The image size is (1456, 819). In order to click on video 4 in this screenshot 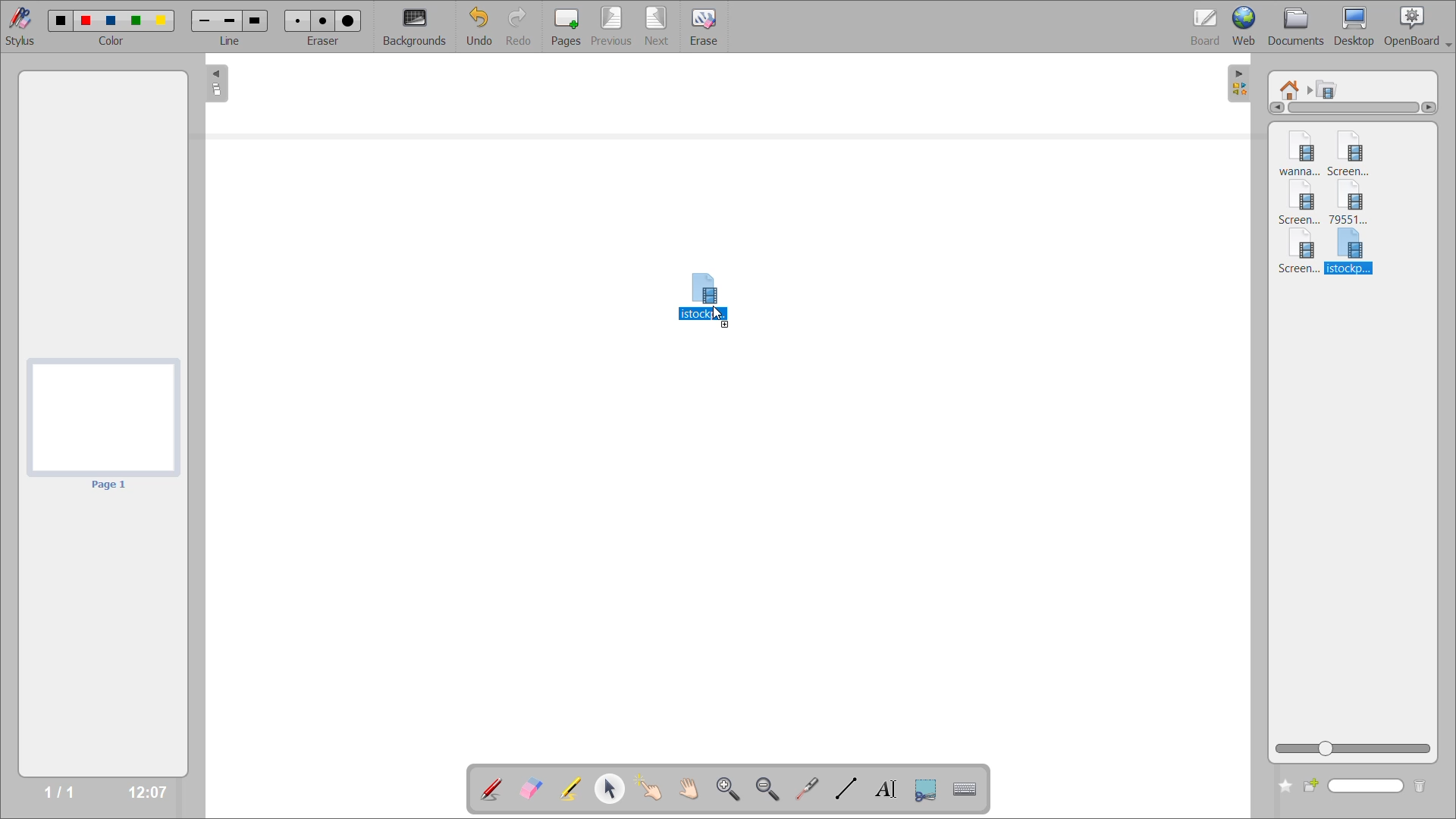, I will do `click(1356, 204)`.